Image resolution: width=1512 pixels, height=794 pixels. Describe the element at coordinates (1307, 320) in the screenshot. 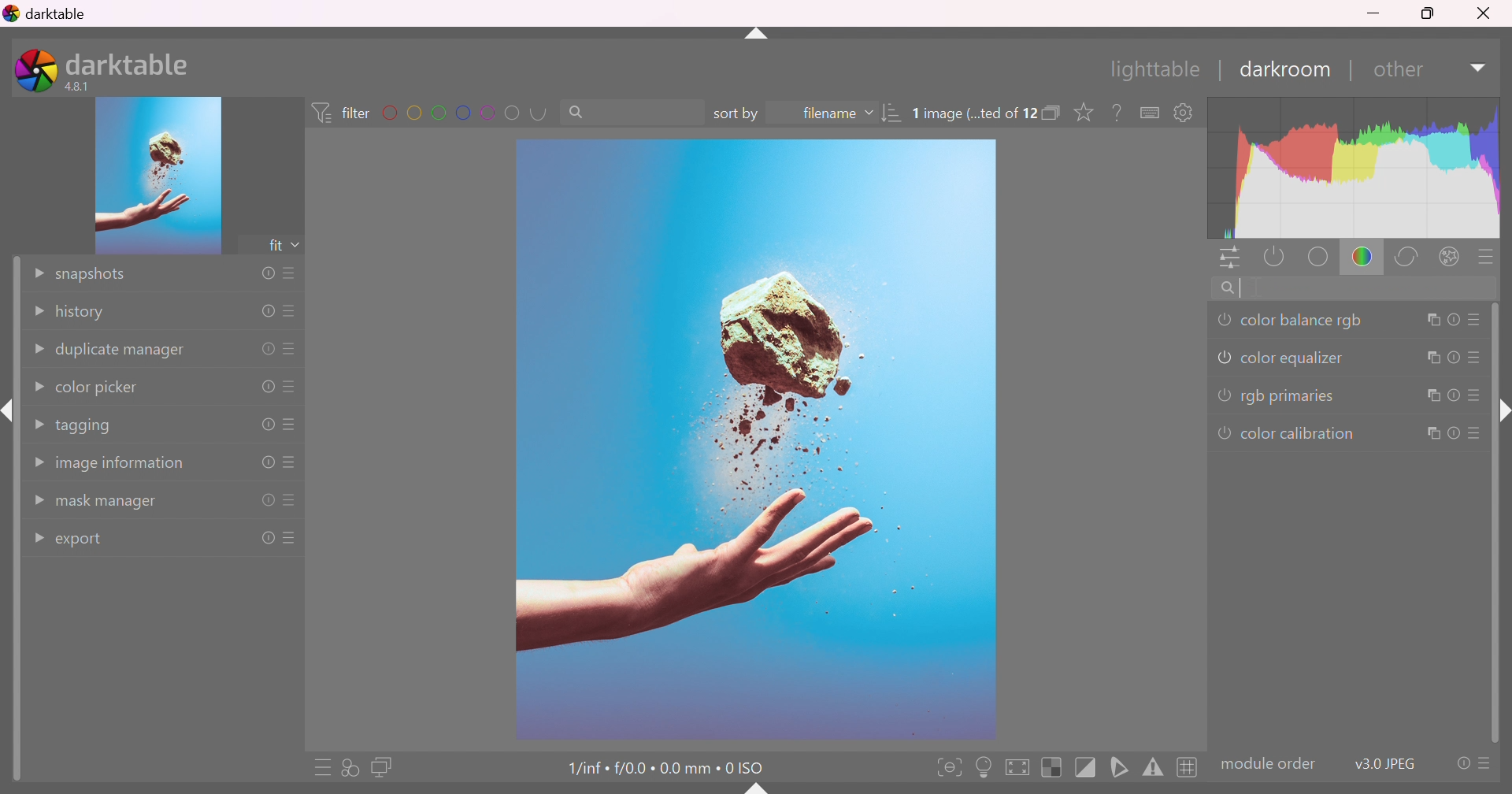

I see `color balance rgb` at that location.